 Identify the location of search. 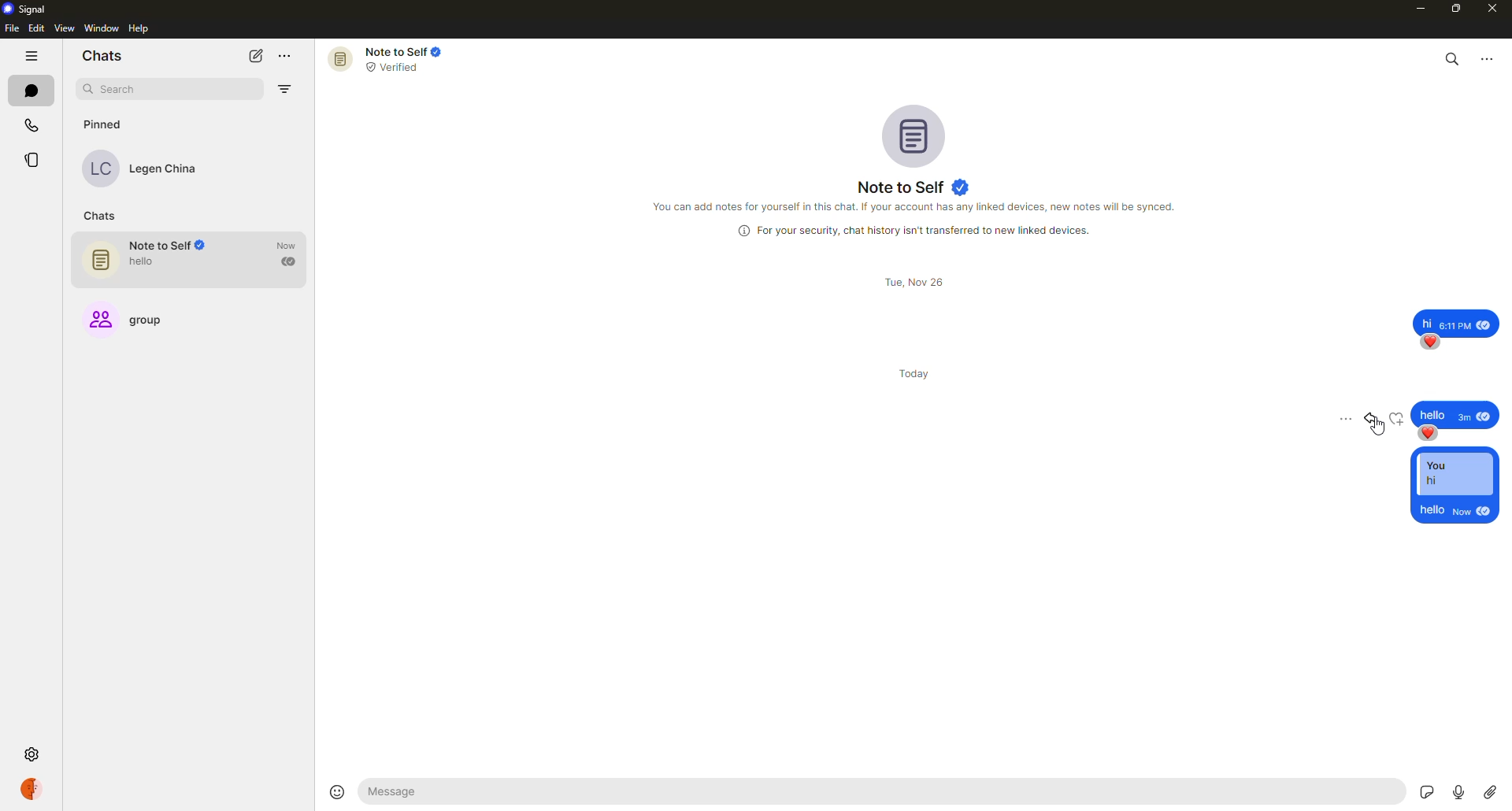
(1453, 57).